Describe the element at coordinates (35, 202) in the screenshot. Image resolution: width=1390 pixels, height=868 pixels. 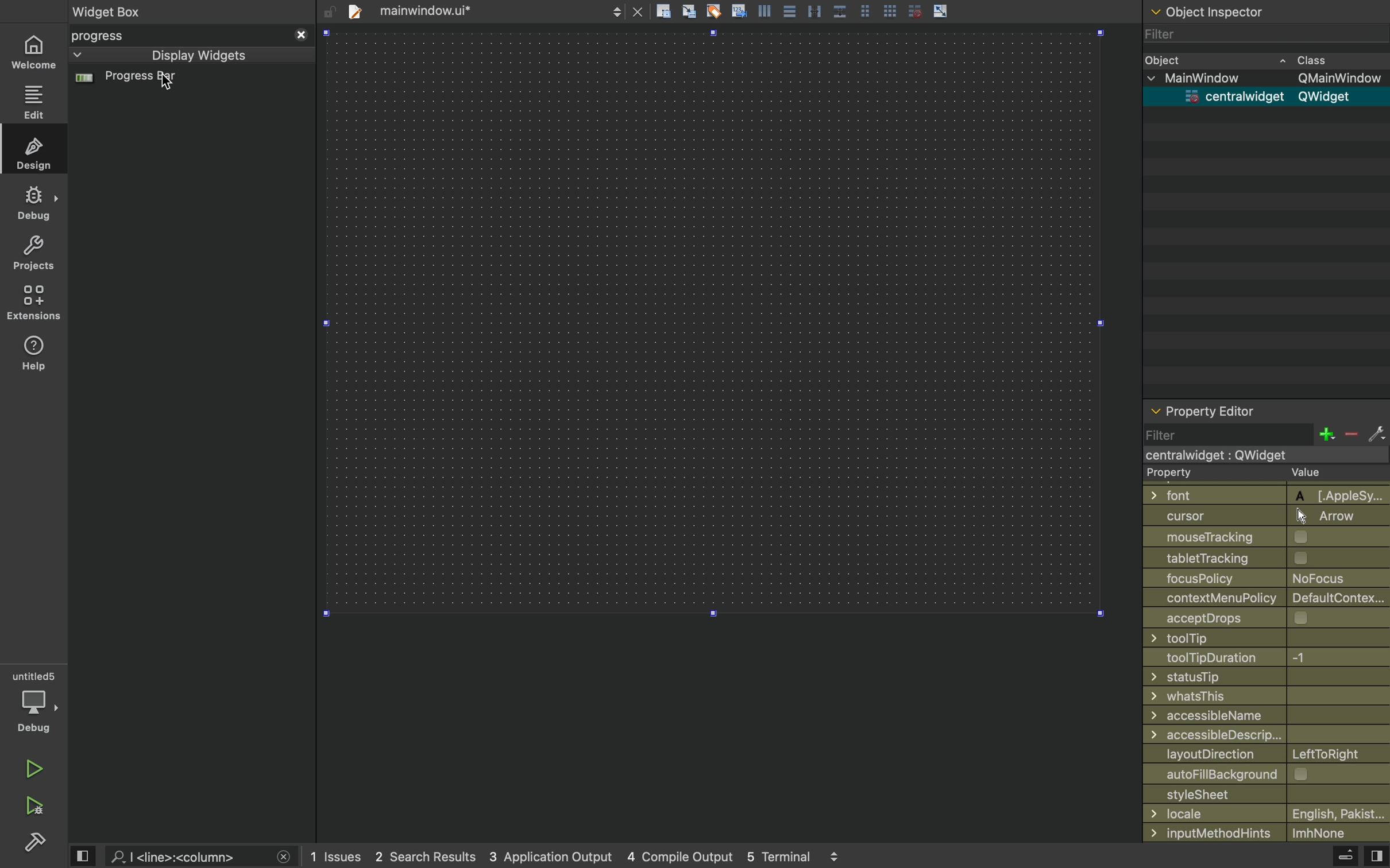
I see `debug` at that location.